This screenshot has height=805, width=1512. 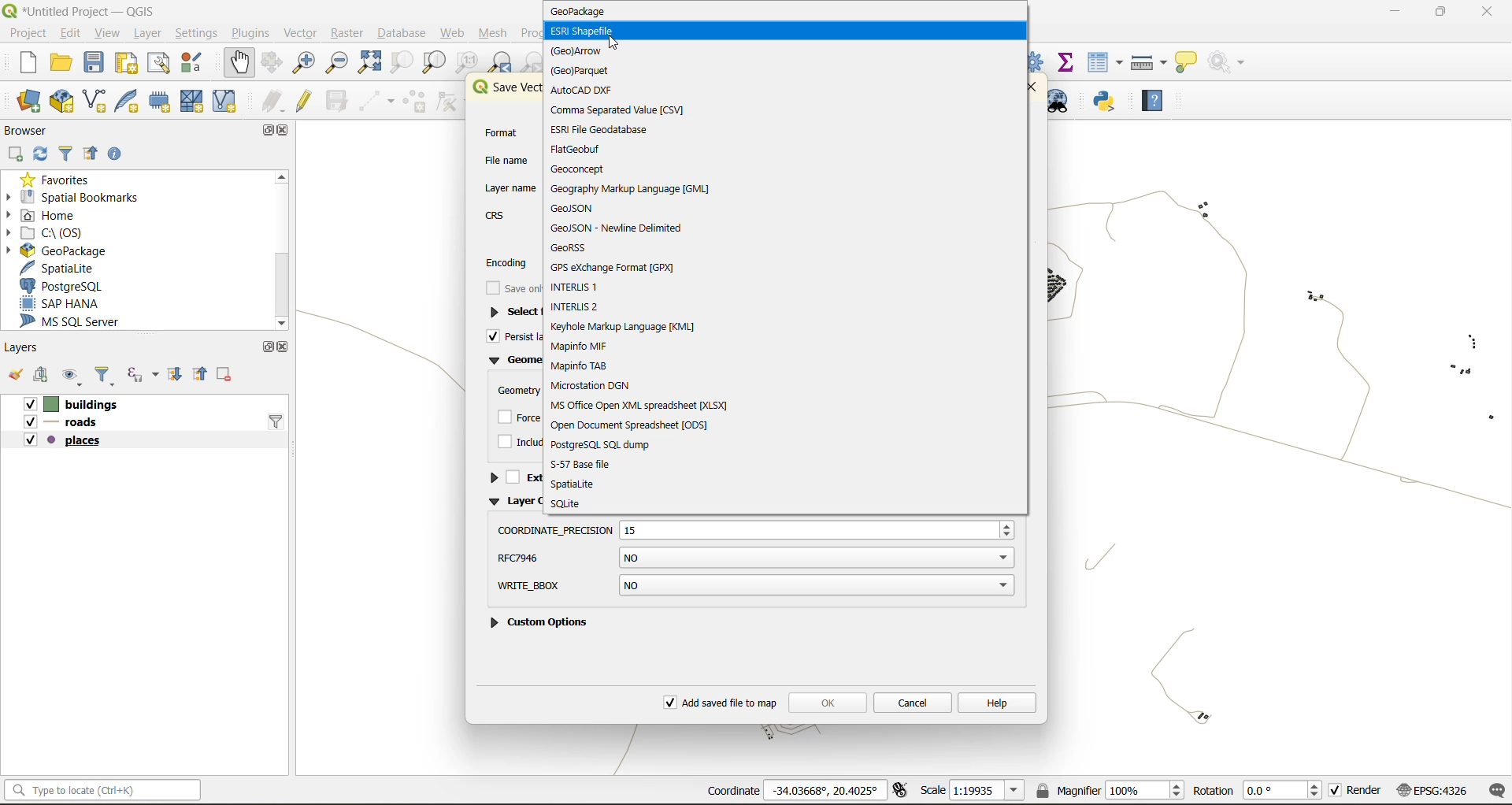 What do you see at coordinates (1397, 14) in the screenshot?
I see `minimize` at bounding box center [1397, 14].